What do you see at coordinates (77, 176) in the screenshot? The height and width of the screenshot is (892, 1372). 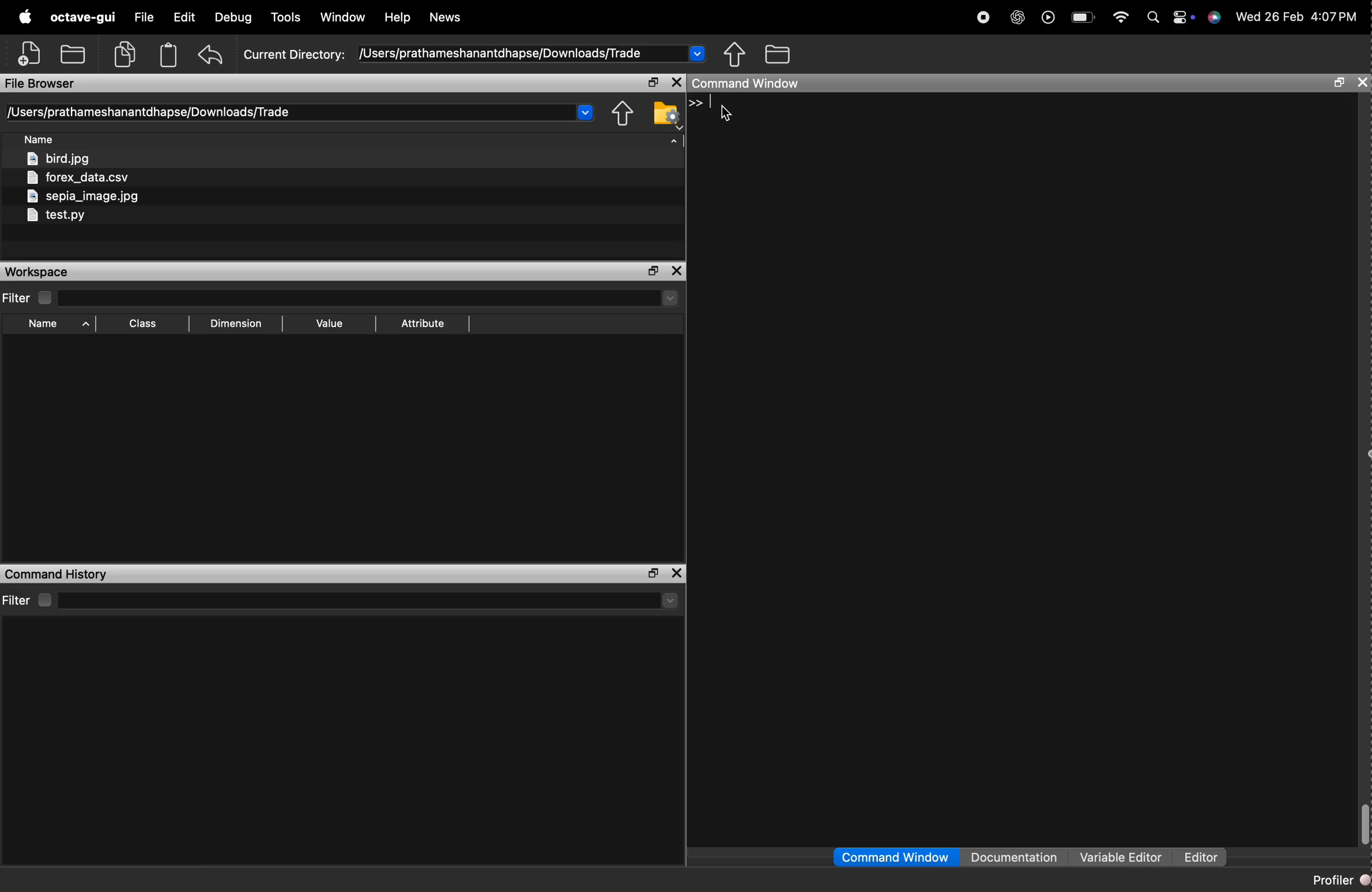 I see ` forex_data.csv` at bounding box center [77, 176].